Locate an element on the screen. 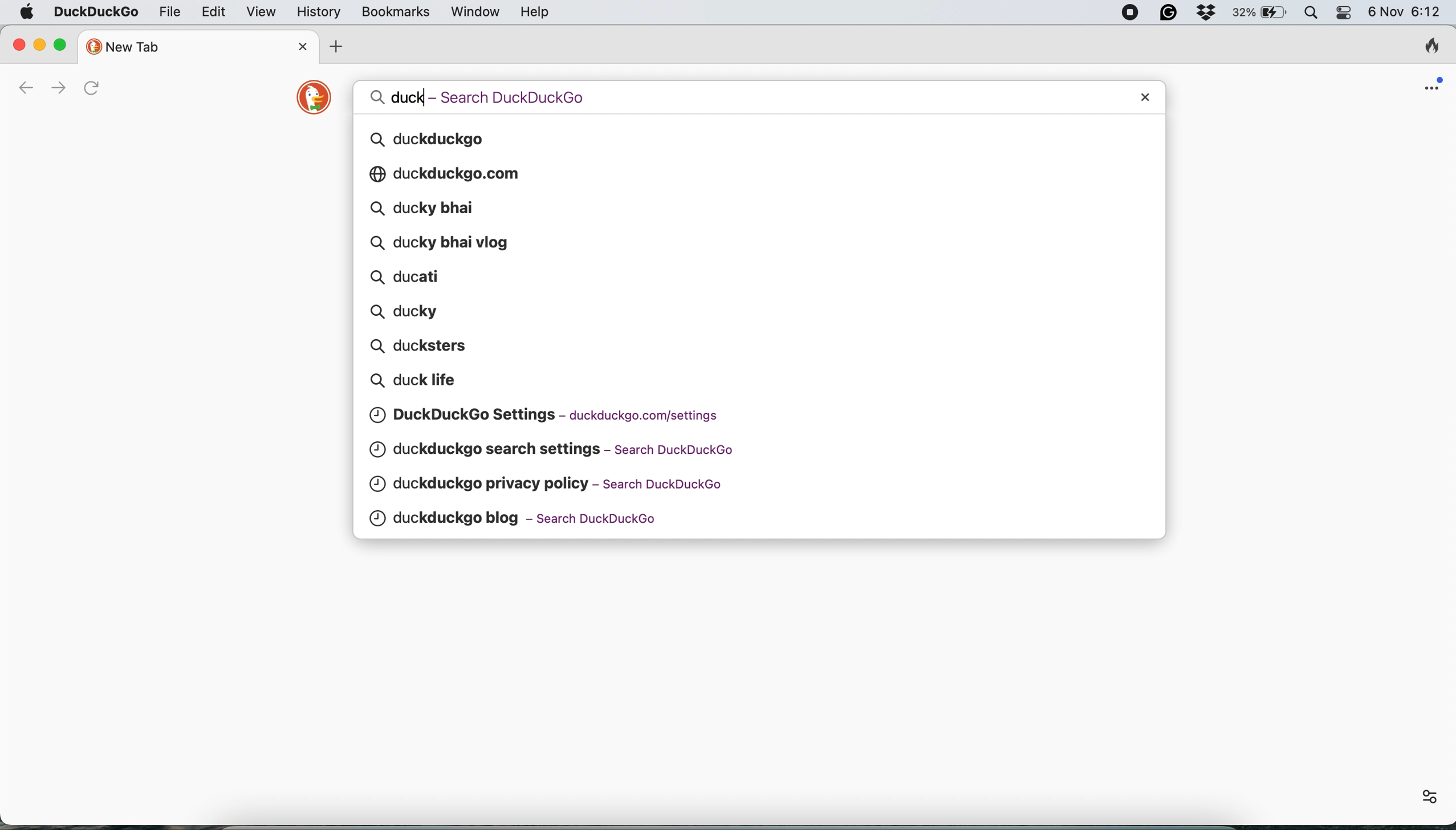 The image size is (1456, 830). 6 Nov 6:12 is located at coordinates (1404, 14).